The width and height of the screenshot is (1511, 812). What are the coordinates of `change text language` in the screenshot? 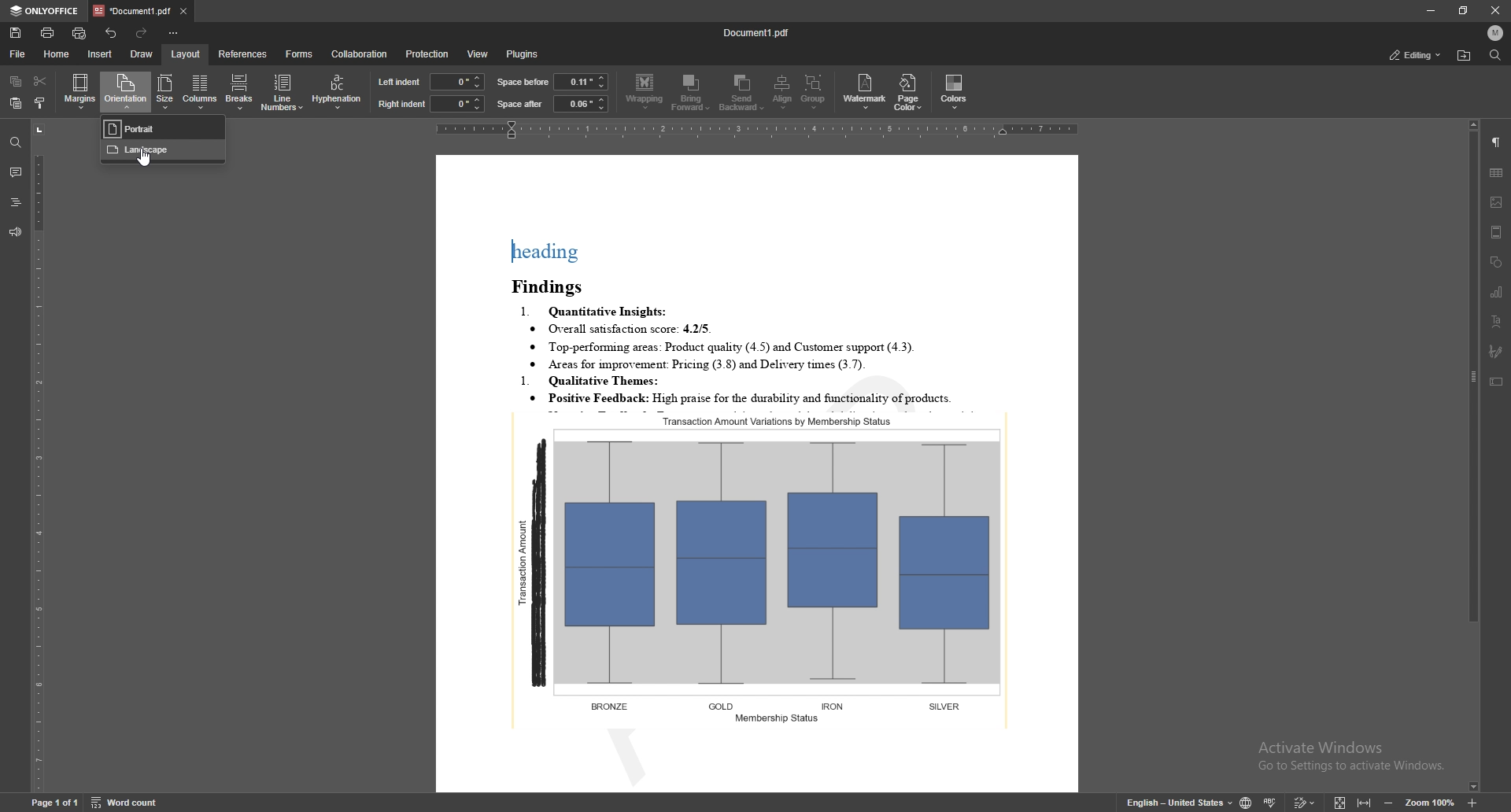 It's located at (1180, 800).